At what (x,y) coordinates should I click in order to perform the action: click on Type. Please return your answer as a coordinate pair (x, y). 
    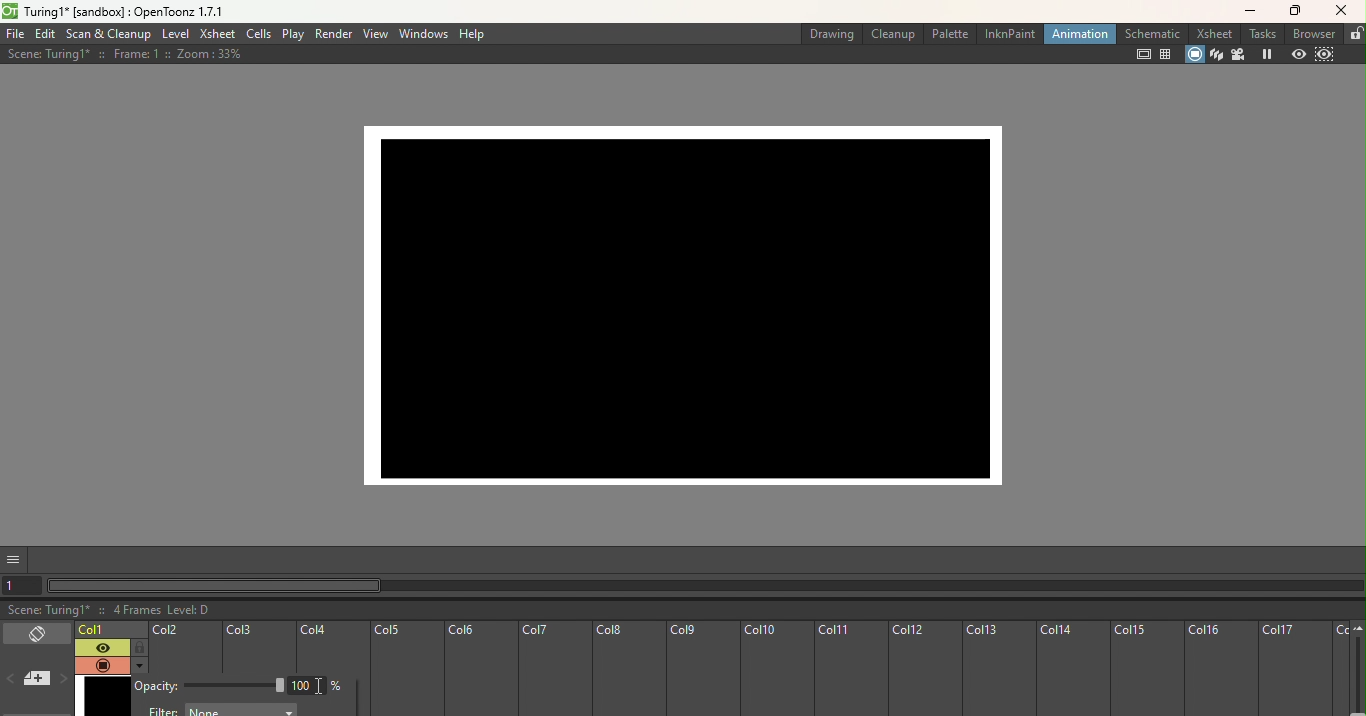
    Looking at the image, I should click on (307, 685).